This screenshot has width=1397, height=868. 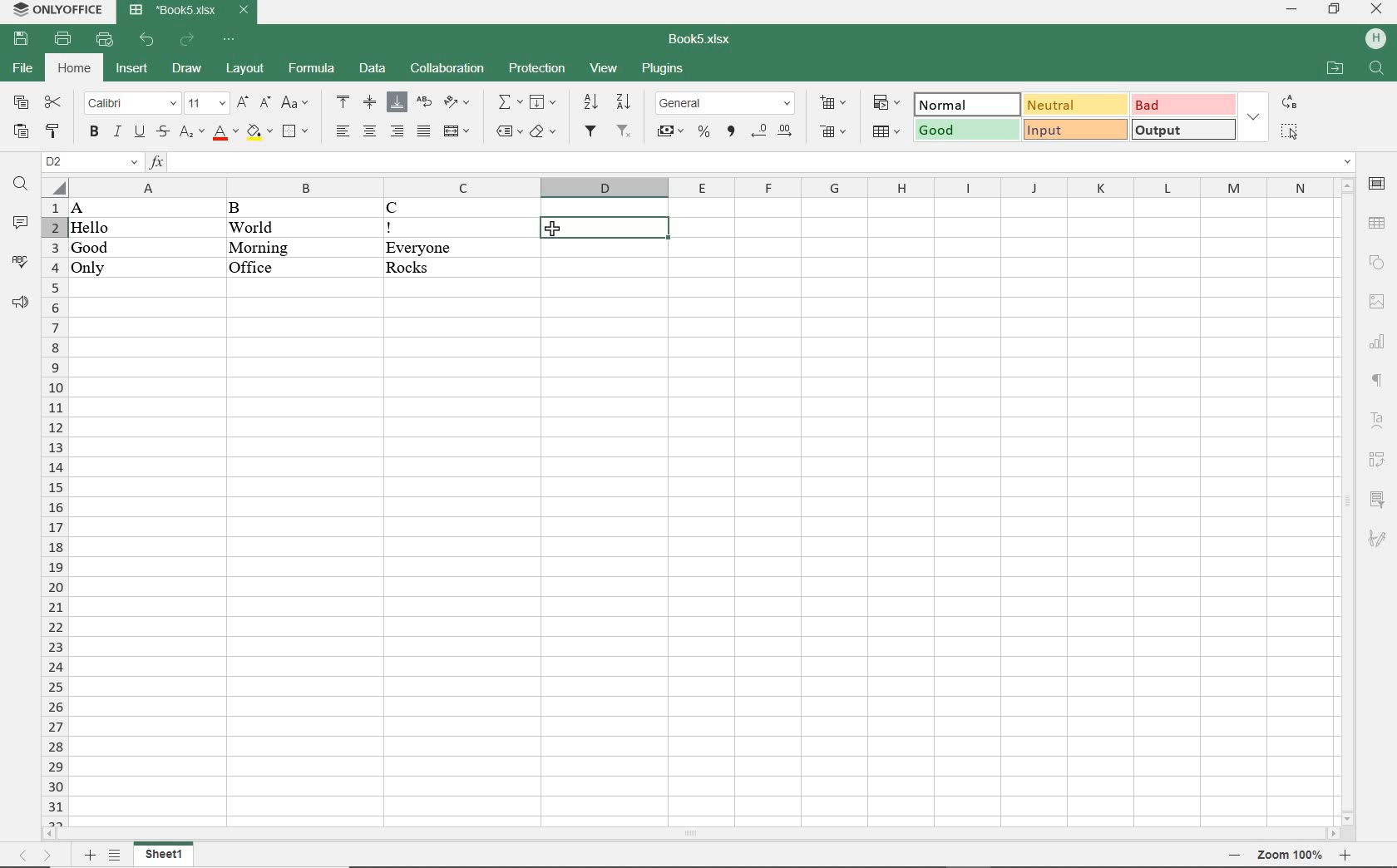 What do you see at coordinates (185, 70) in the screenshot?
I see `draw` at bounding box center [185, 70].